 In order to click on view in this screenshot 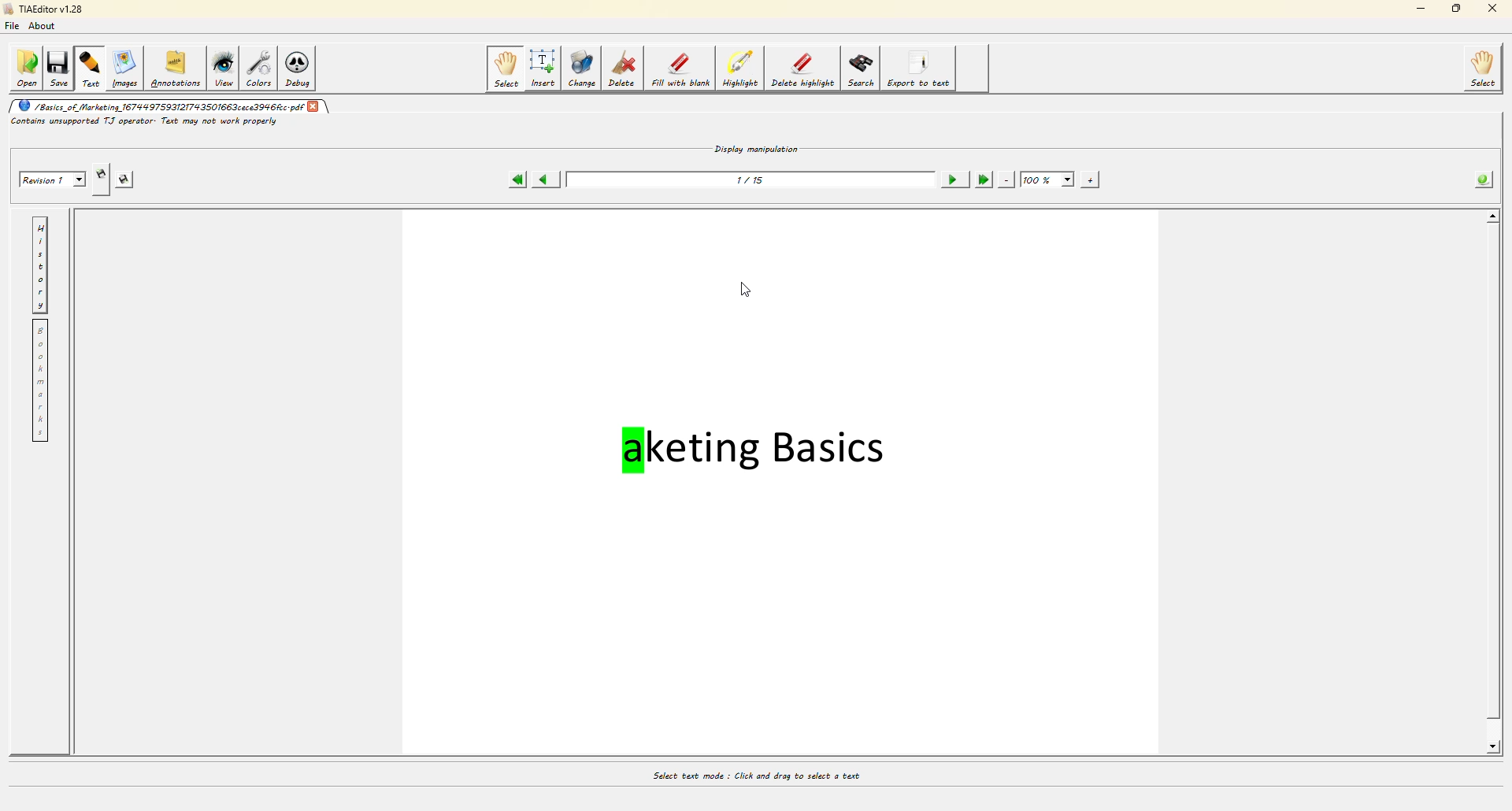, I will do `click(224, 69)`.